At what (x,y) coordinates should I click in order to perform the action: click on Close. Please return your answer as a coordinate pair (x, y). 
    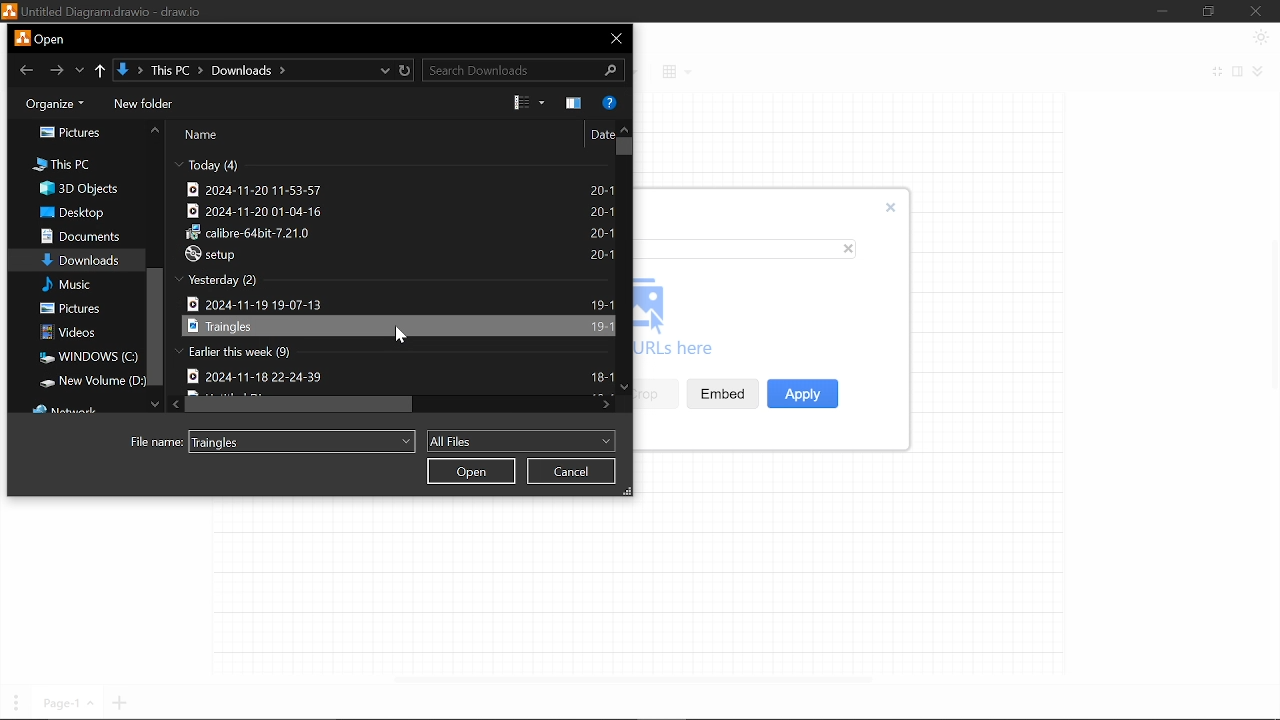
    Looking at the image, I should click on (616, 37).